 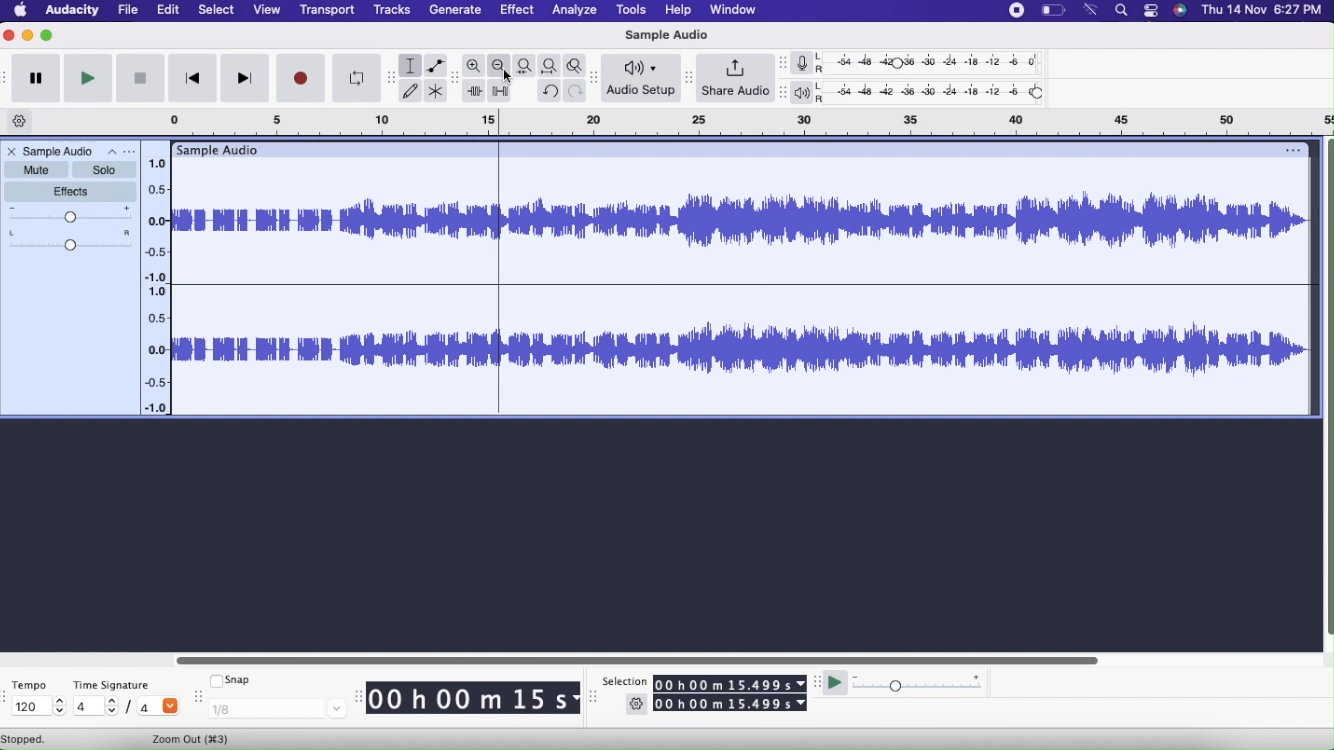 What do you see at coordinates (640, 77) in the screenshot?
I see `Audio Setup` at bounding box center [640, 77].